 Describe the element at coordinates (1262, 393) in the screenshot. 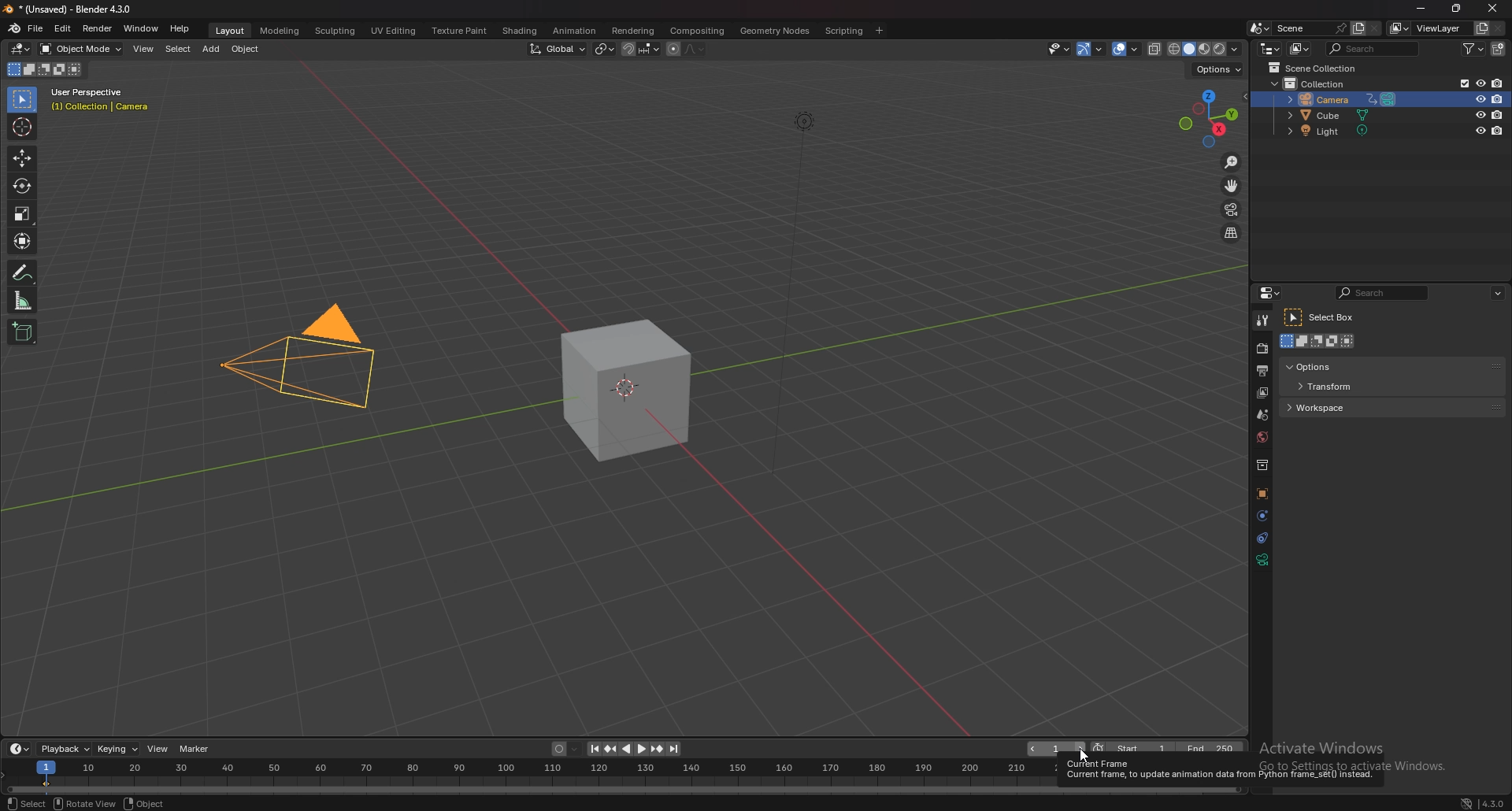

I see `layer` at that location.